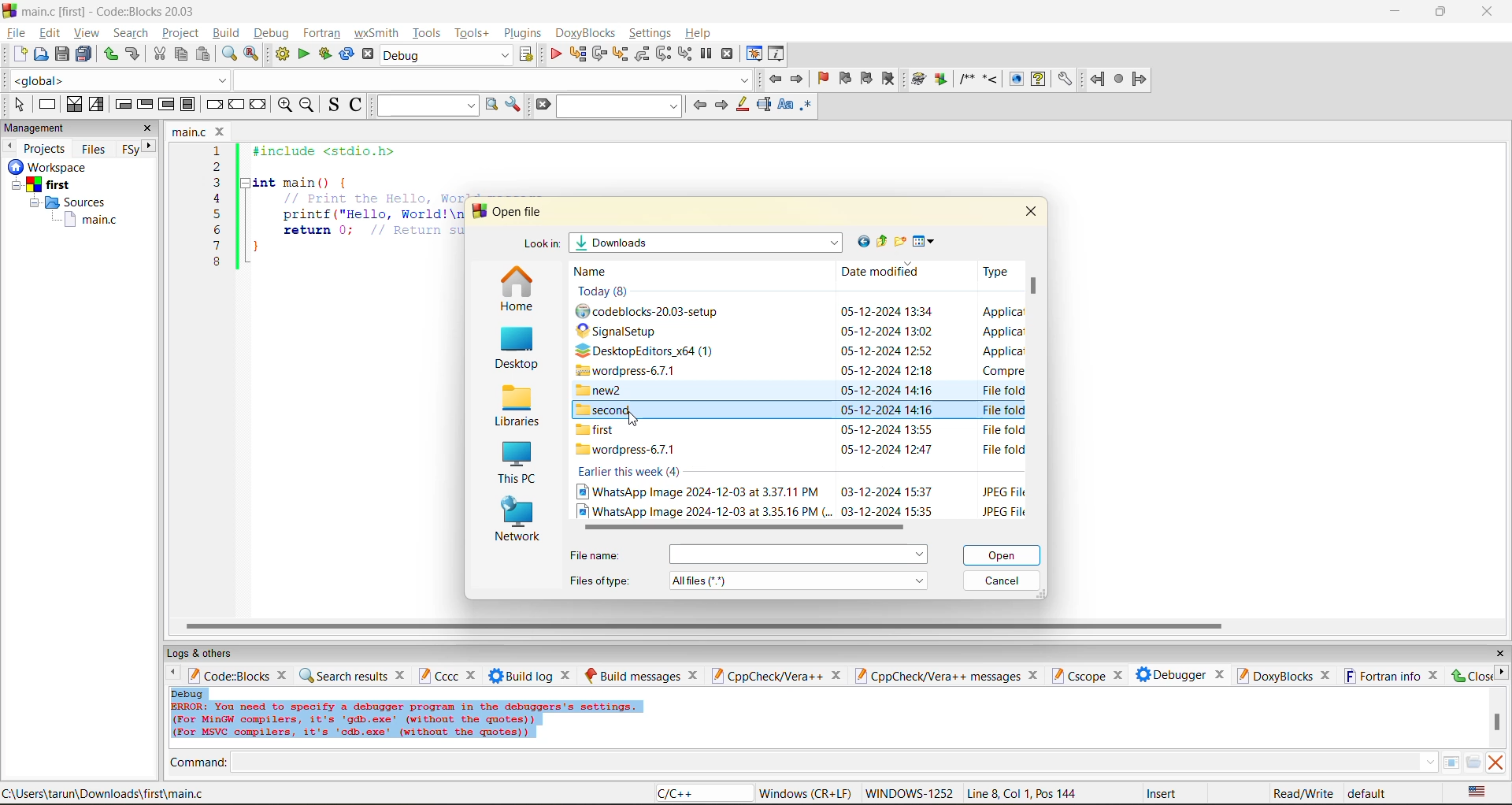 The image size is (1512, 805). What do you see at coordinates (491, 105) in the screenshot?
I see `run search` at bounding box center [491, 105].